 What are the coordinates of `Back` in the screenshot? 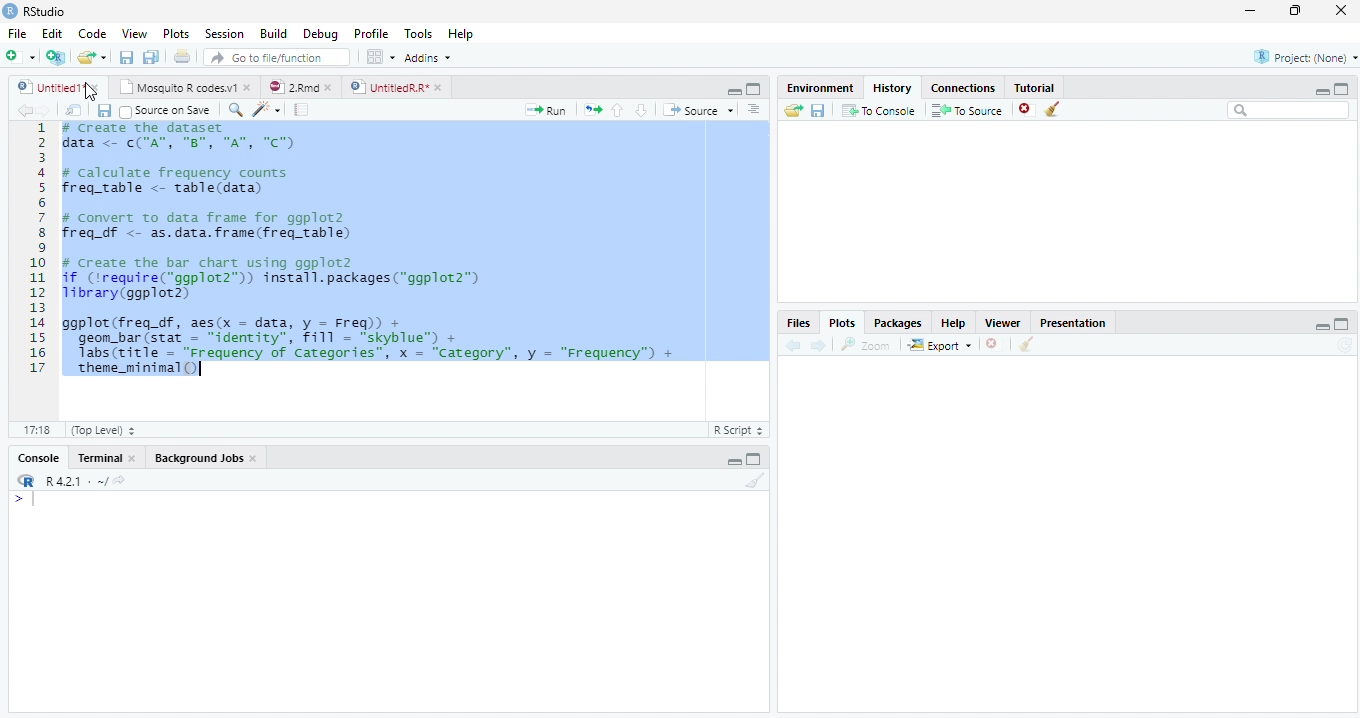 It's located at (795, 345).